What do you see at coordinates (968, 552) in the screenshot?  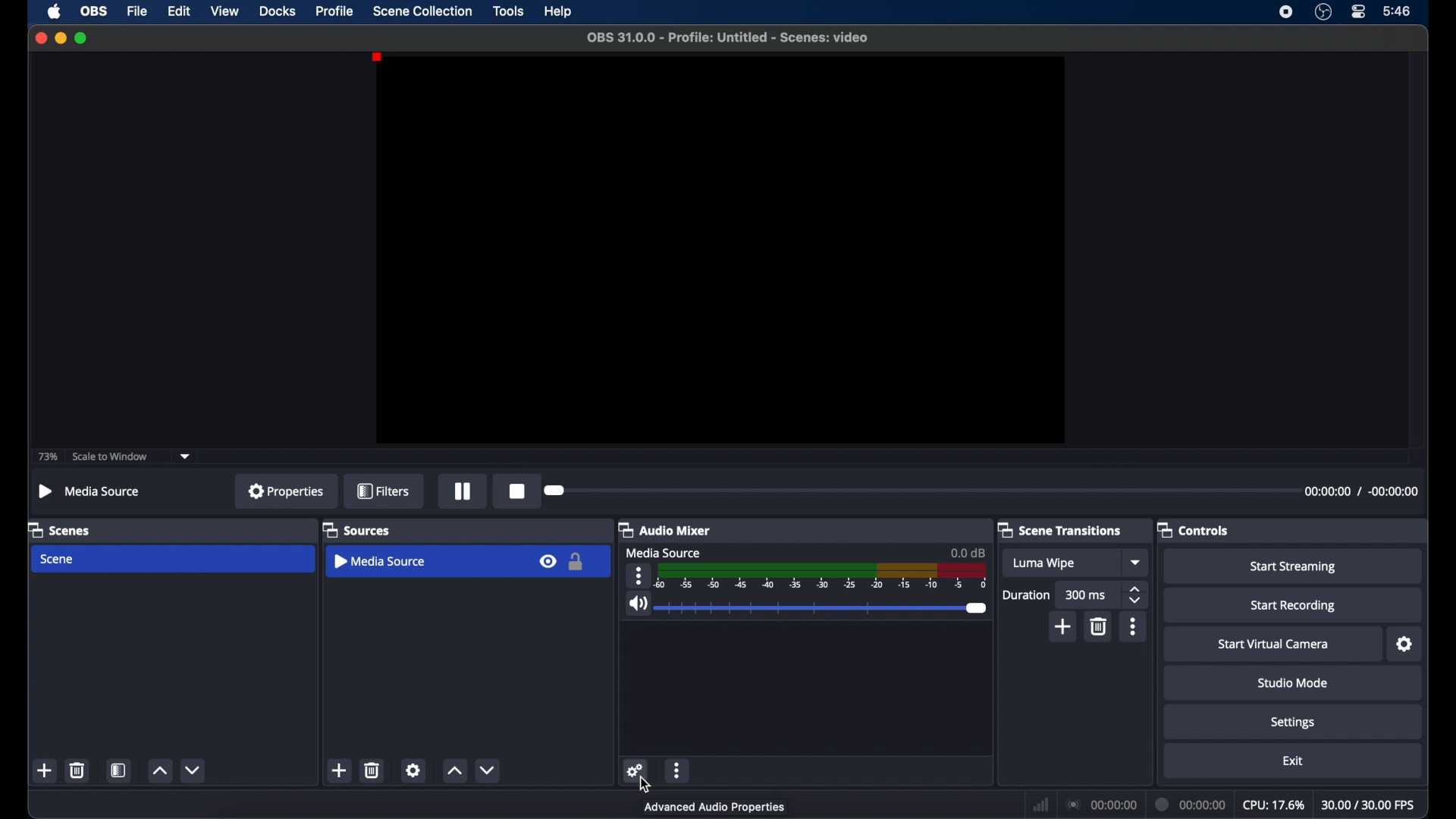 I see `0.0 db` at bounding box center [968, 552].